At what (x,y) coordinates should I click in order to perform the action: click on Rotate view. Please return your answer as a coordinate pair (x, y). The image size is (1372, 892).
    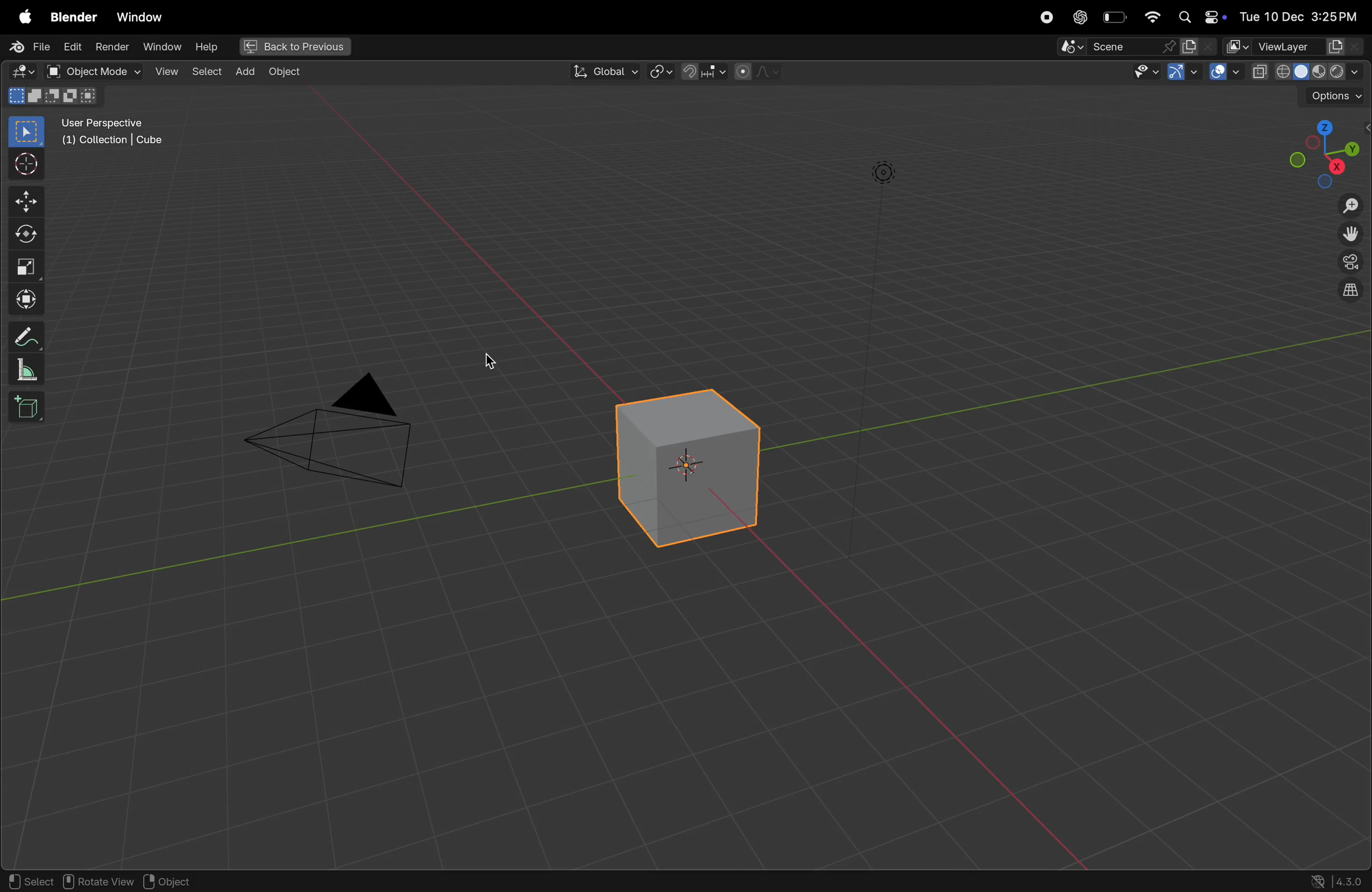
    Looking at the image, I should click on (100, 882).